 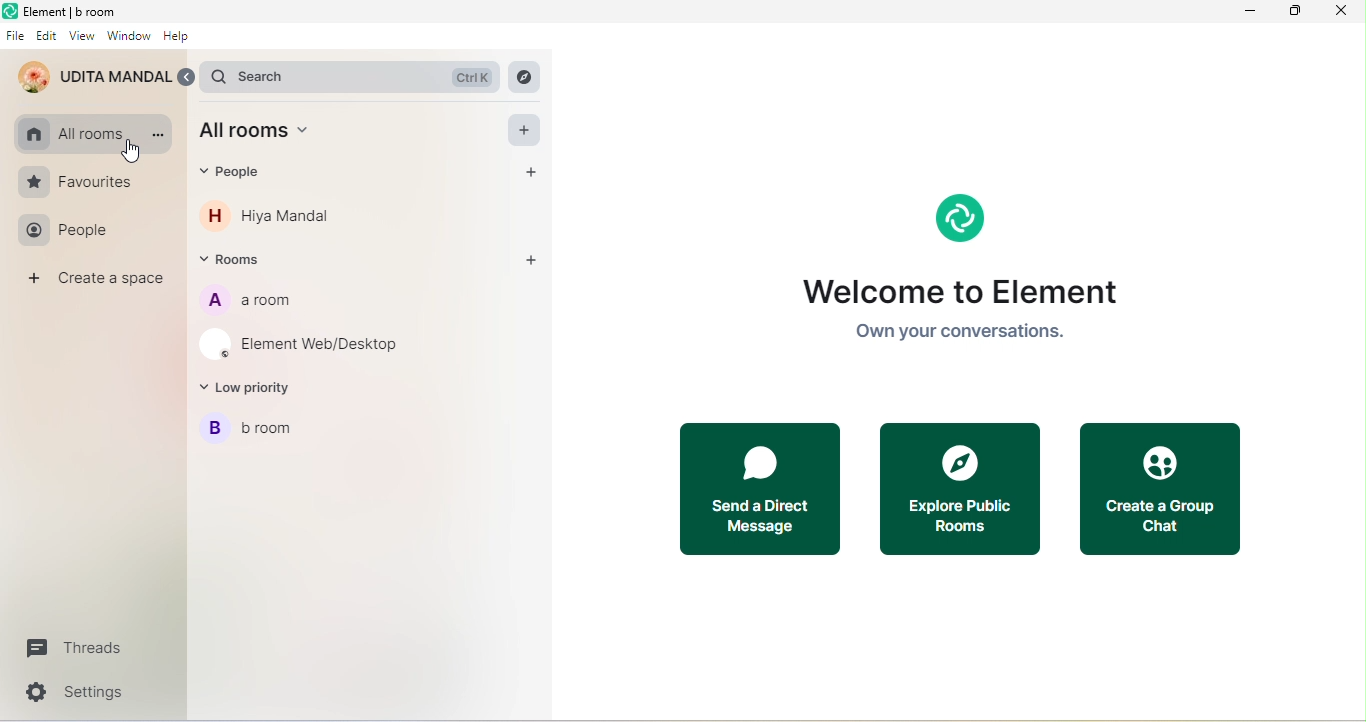 What do you see at coordinates (257, 426) in the screenshot?
I see `b room` at bounding box center [257, 426].